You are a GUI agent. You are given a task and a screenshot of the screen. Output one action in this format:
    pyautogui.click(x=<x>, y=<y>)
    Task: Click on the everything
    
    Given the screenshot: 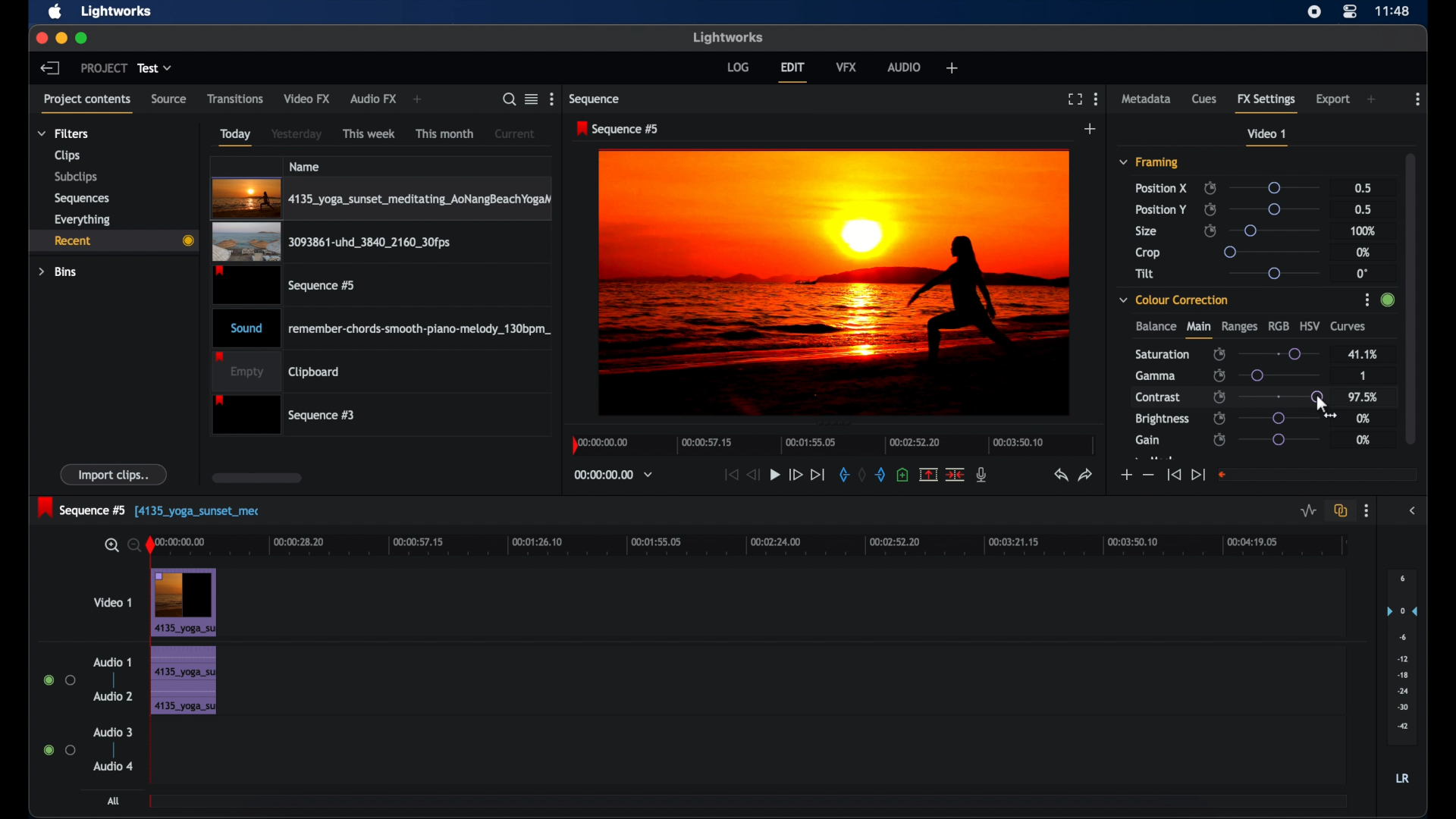 What is the action you would take?
    pyautogui.click(x=83, y=219)
    